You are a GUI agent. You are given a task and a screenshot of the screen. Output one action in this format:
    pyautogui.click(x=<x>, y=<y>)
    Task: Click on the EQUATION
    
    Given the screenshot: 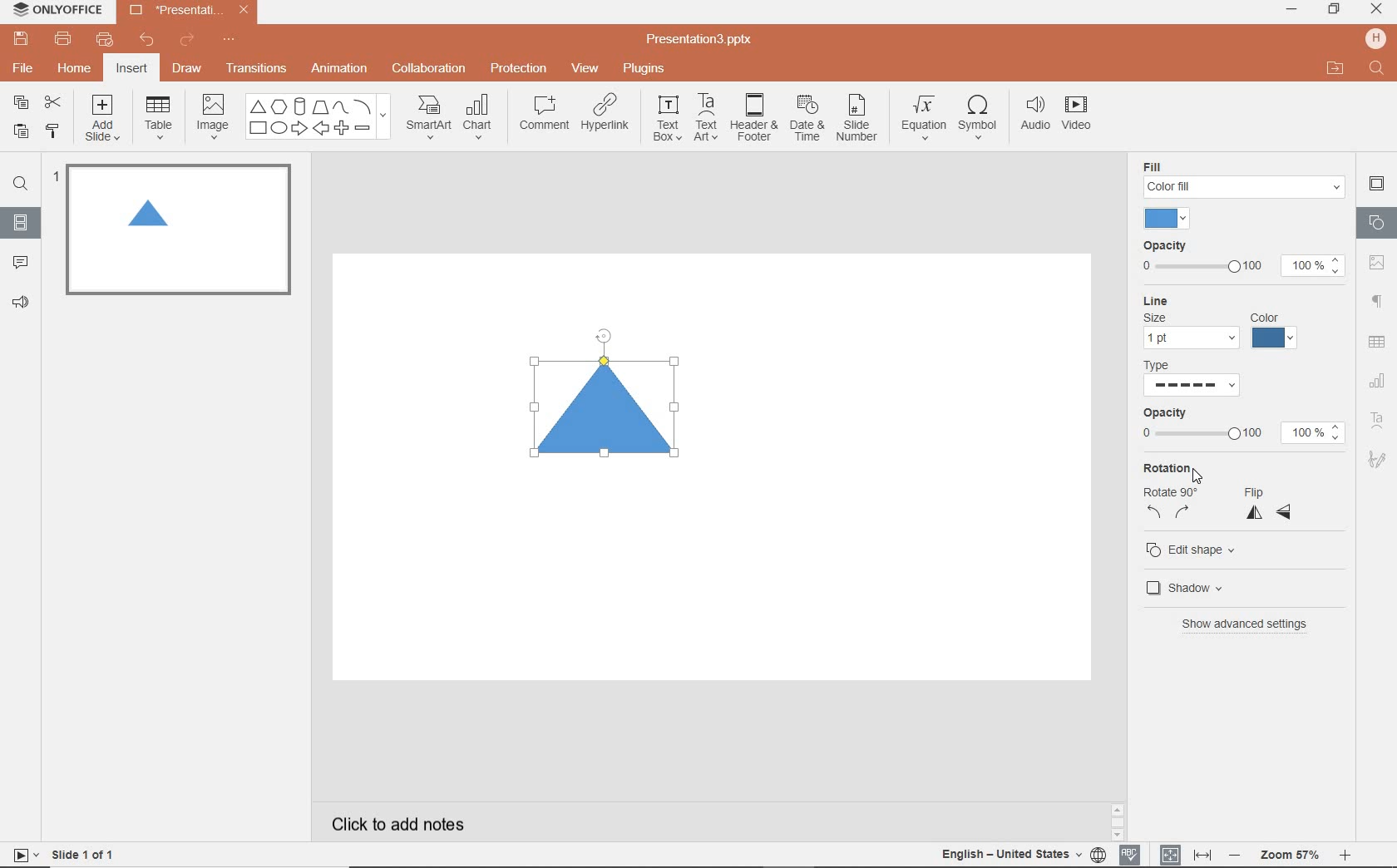 What is the action you would take?
    pyautogui.click(x=925, y=121)
    